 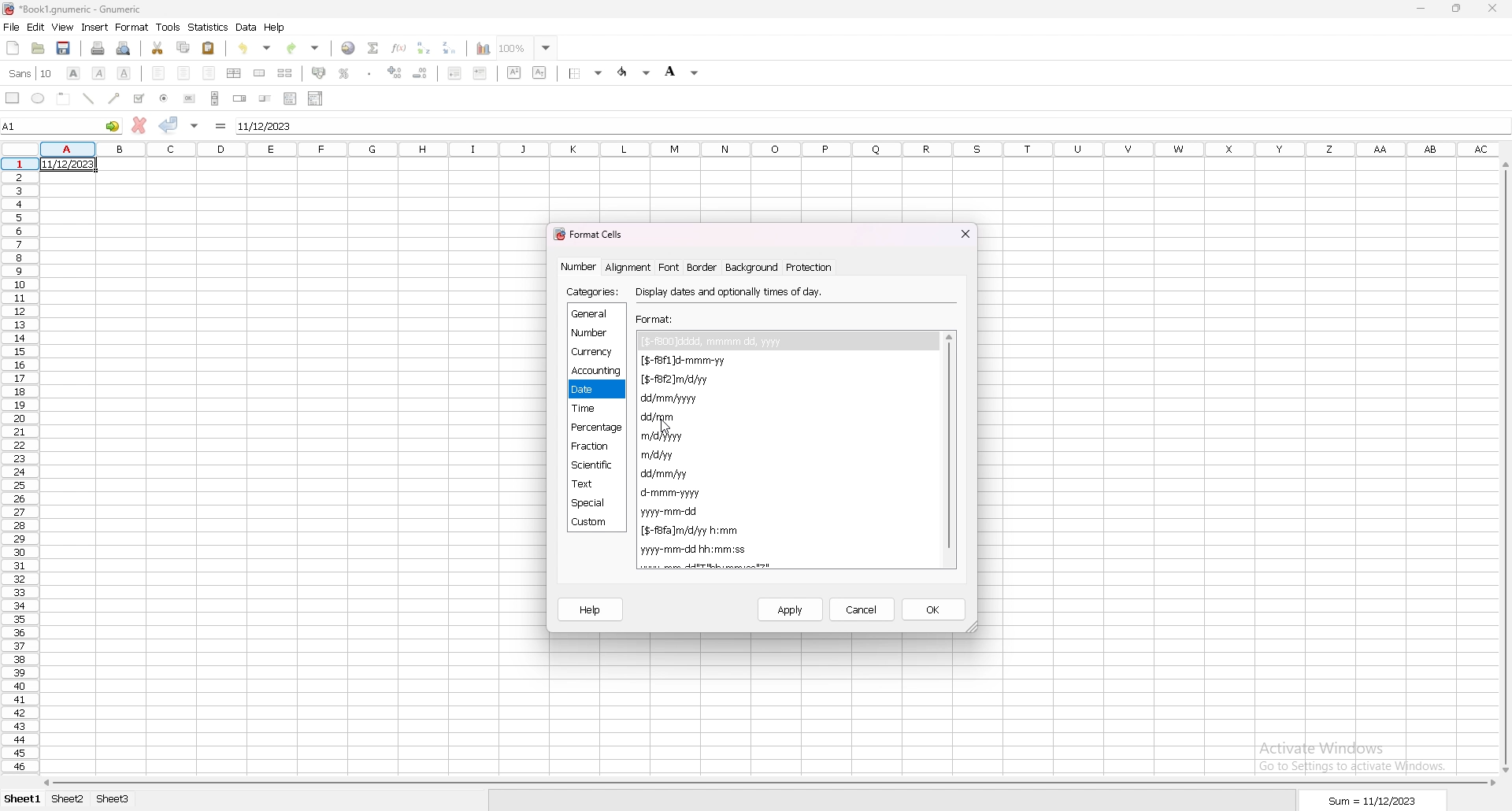 What do you see at coordinates (36, 27) in the screenshot?
I see `edit` at bounding box center [36, 27].